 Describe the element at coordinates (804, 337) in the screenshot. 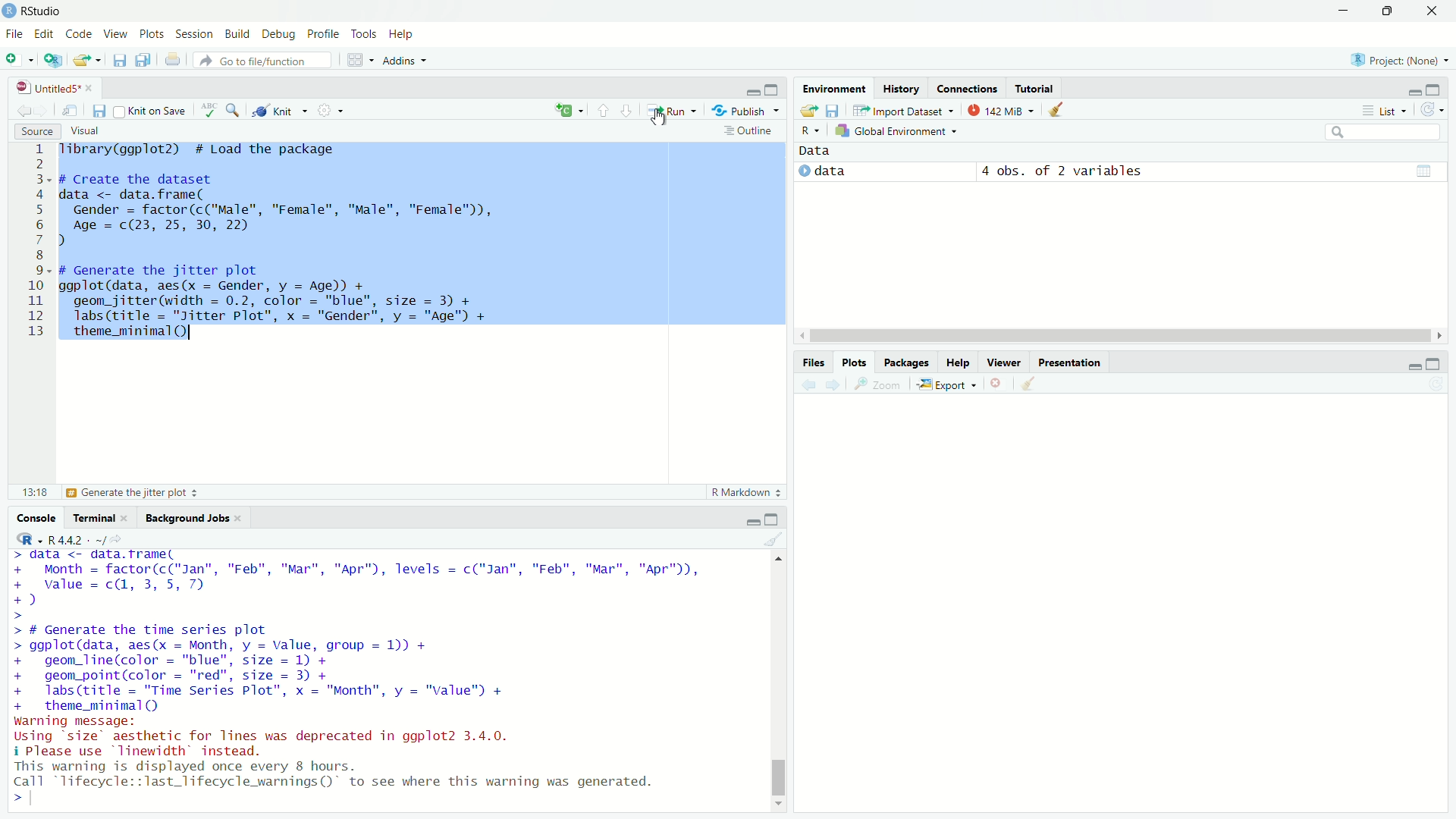

I see `move left` at that location.